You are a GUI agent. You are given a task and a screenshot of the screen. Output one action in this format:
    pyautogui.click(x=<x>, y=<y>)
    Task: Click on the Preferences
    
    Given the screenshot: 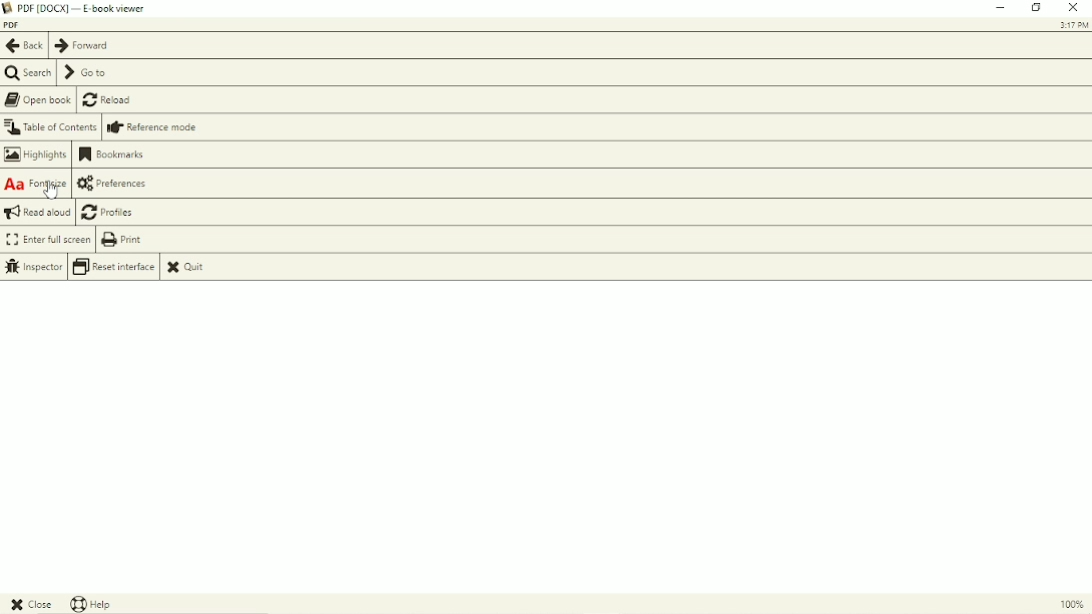 What is the action you would take?
    pyautogui.click(x=121, y=183)
    